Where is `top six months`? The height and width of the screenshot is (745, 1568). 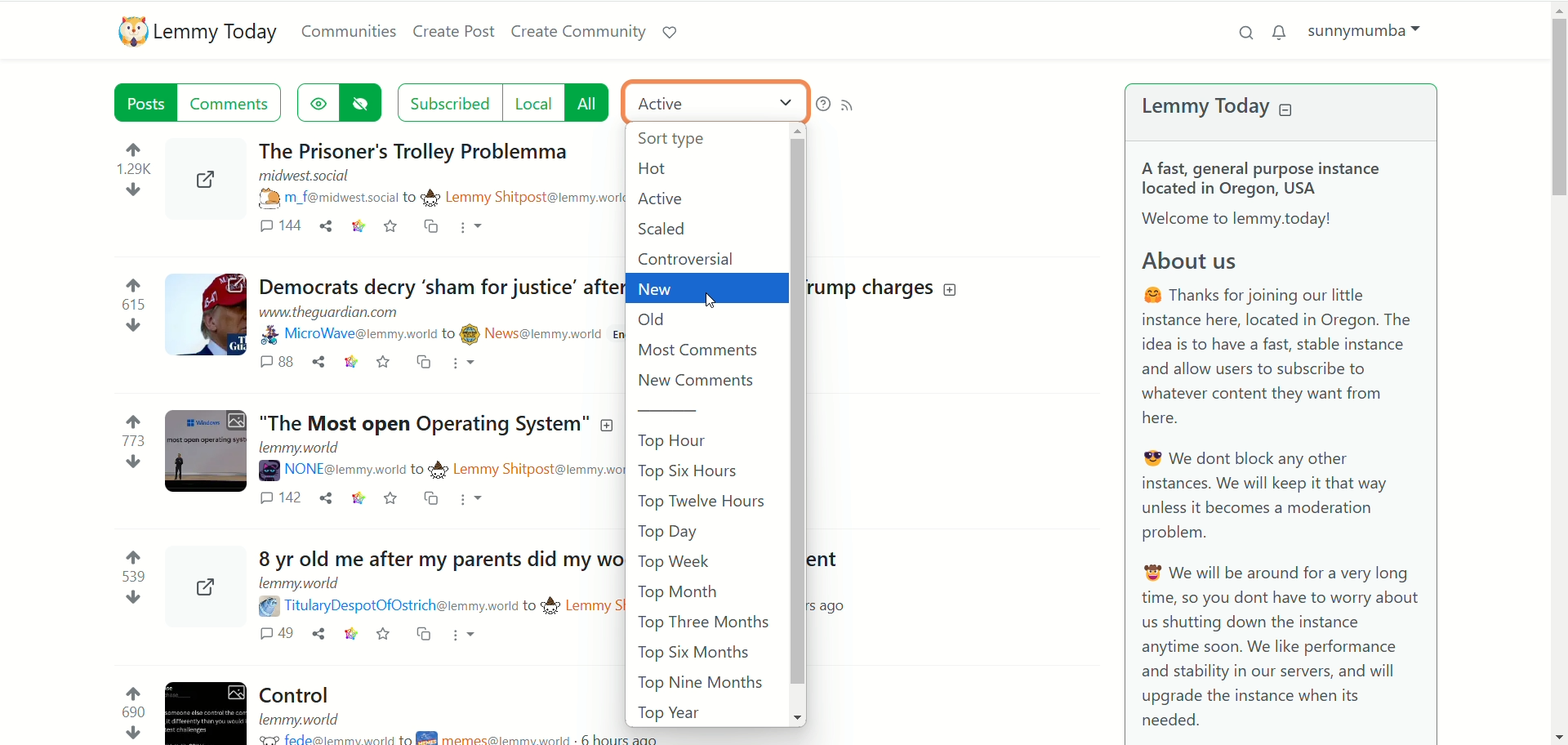
top six months is located at coordinates (697, 654).